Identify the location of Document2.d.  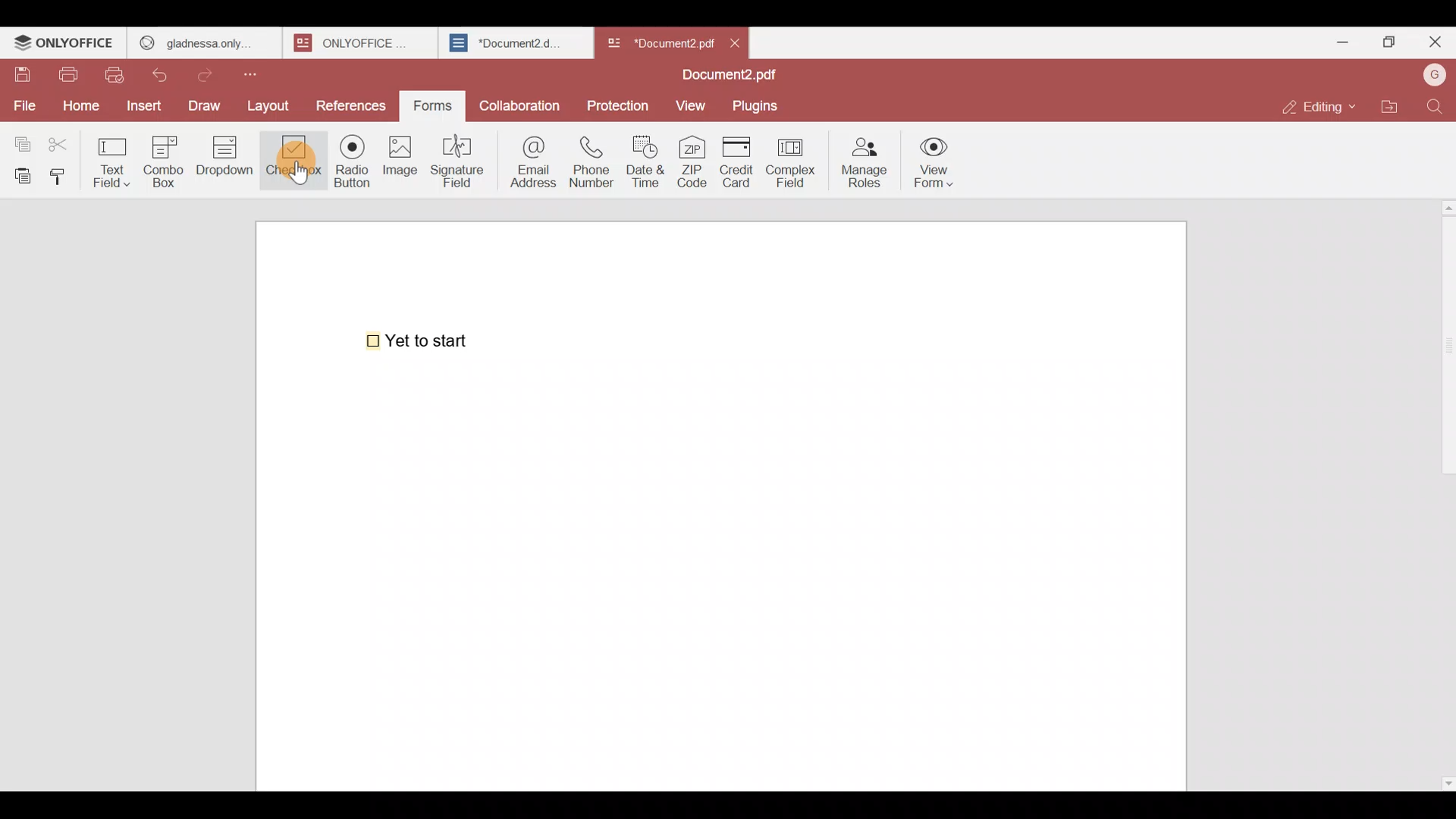
(515, 47).